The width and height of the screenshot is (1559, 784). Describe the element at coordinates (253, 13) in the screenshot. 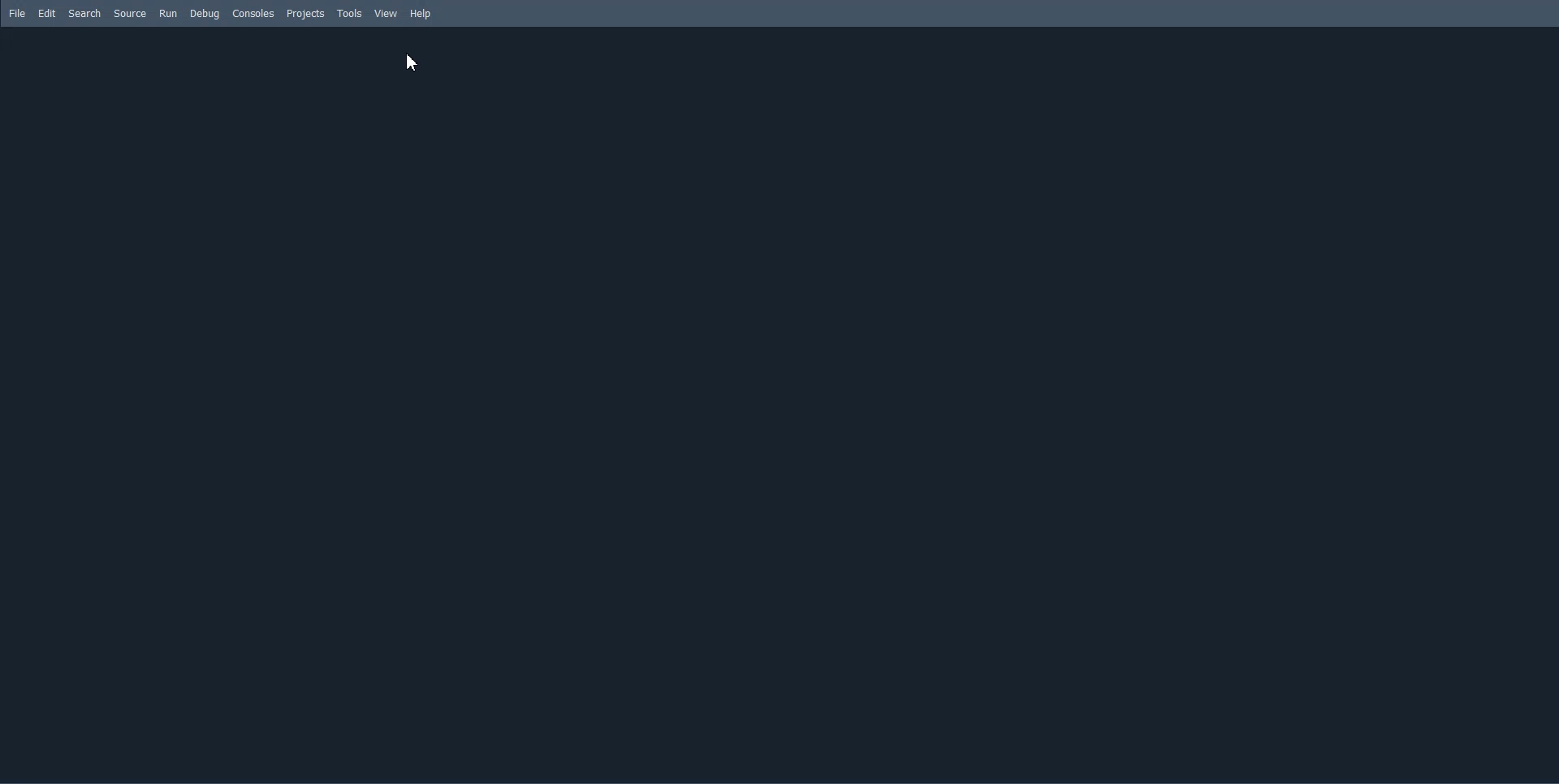

I see `Consoles` at that location.